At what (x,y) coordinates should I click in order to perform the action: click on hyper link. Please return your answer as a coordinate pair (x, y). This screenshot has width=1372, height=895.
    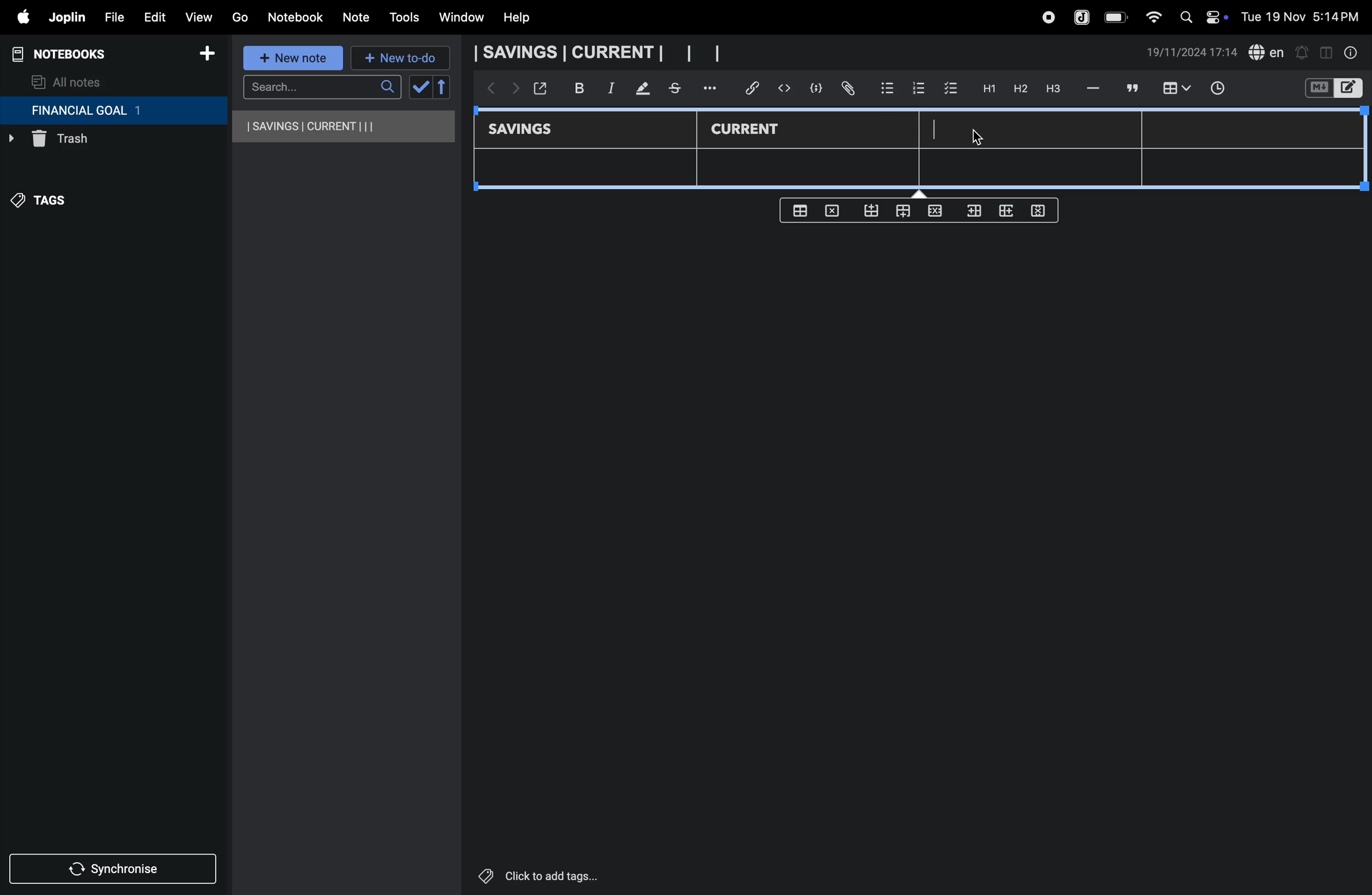
    Looking at the image, I should click on (756, 88).